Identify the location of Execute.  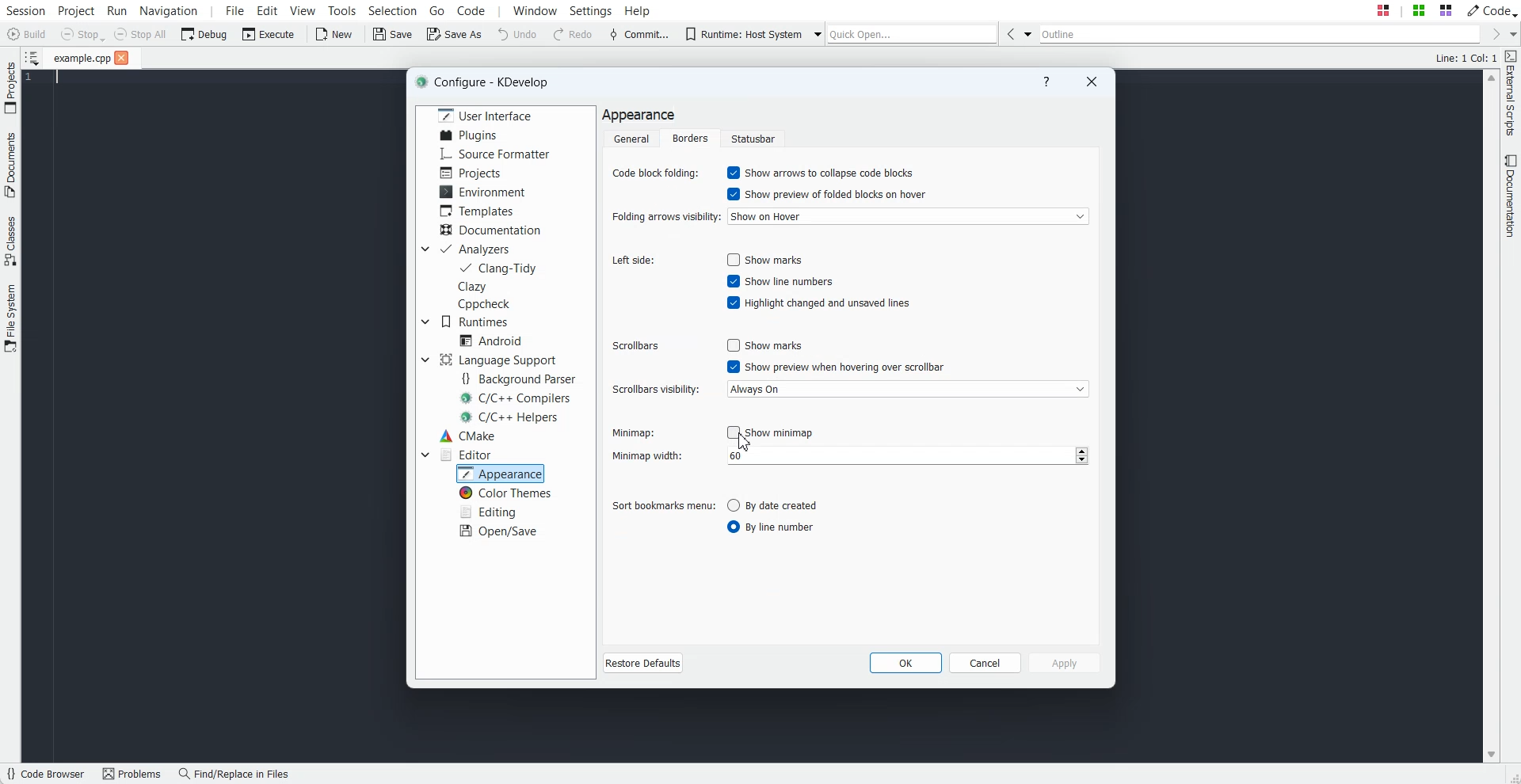
(269, 34).